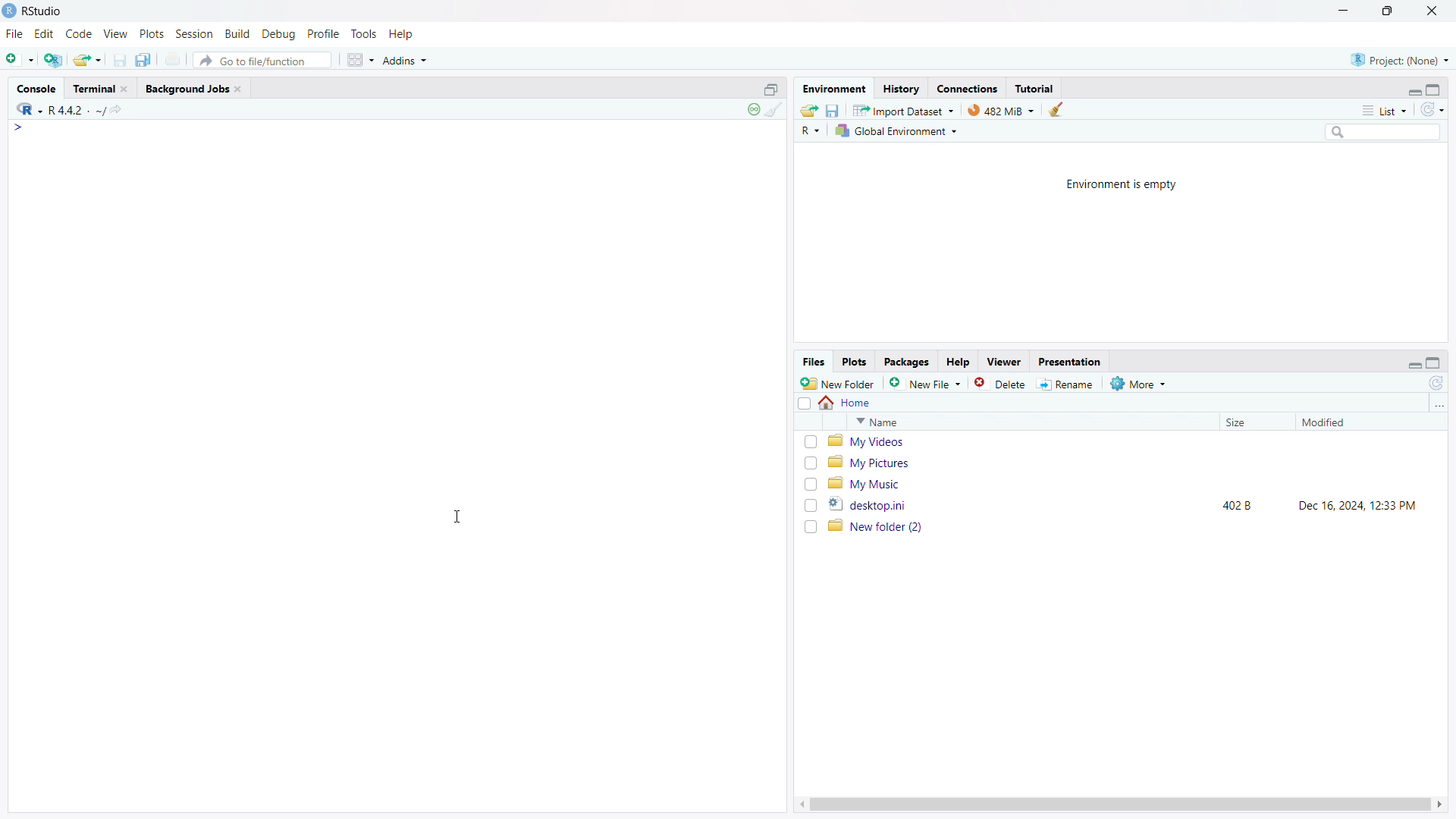 This screenshot has height=819, width=1456. What do you see at coordinates (77, 108) in the screenshot?
I see `R 4.4.2 . ~/` at bounding box center [77, 108].